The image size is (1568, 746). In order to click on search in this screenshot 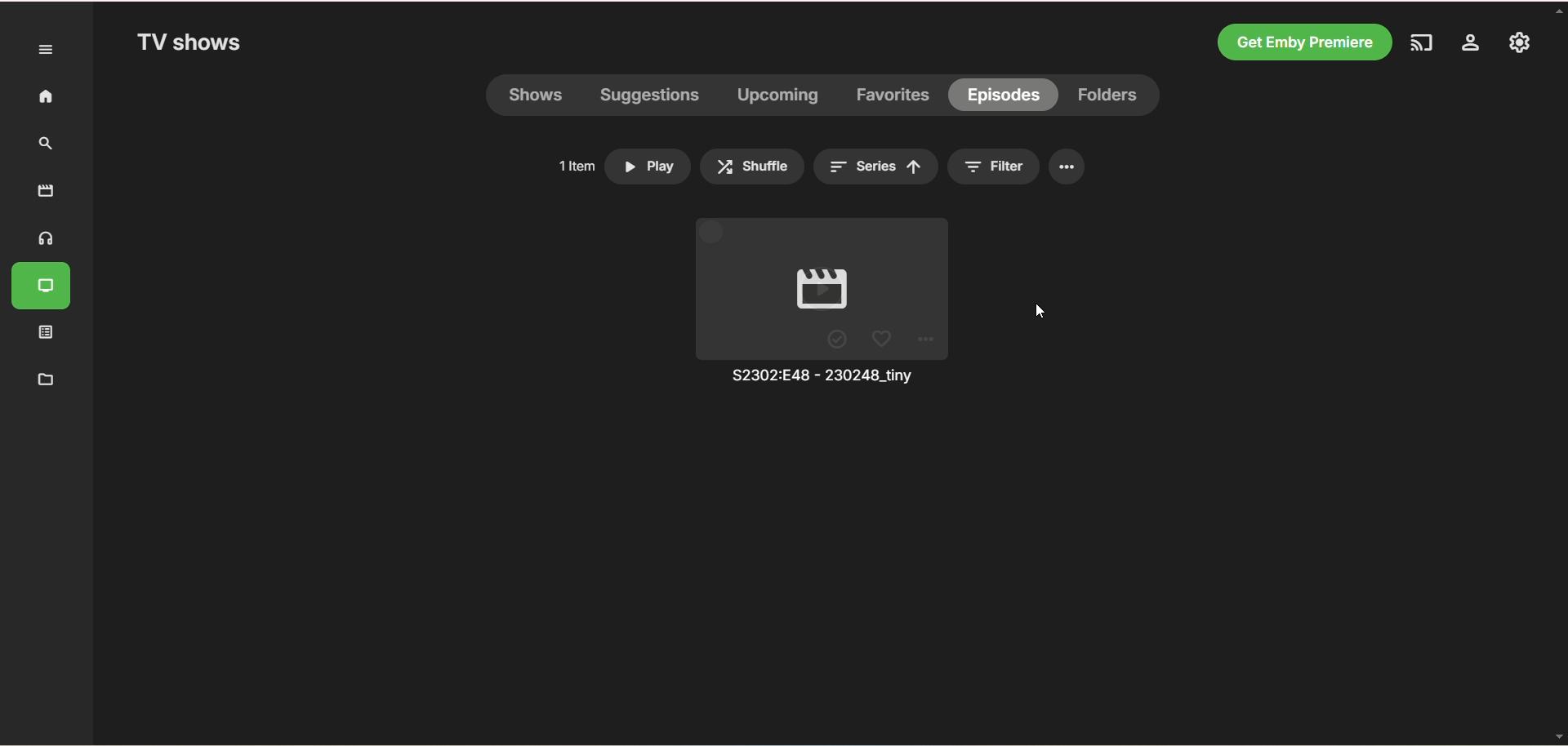, I will do `click(46, 144)`.